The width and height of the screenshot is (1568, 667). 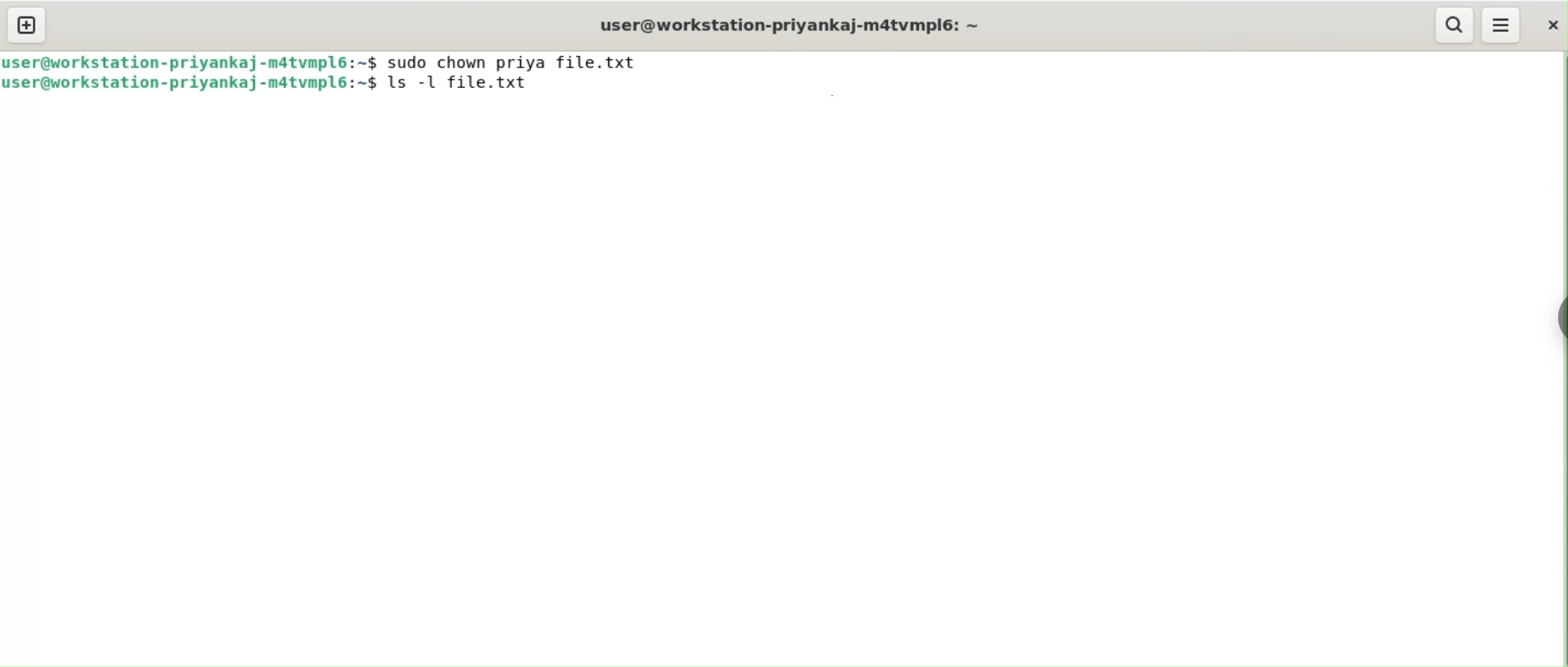 I want to click on sidebar, so click(x=1558, y=315).